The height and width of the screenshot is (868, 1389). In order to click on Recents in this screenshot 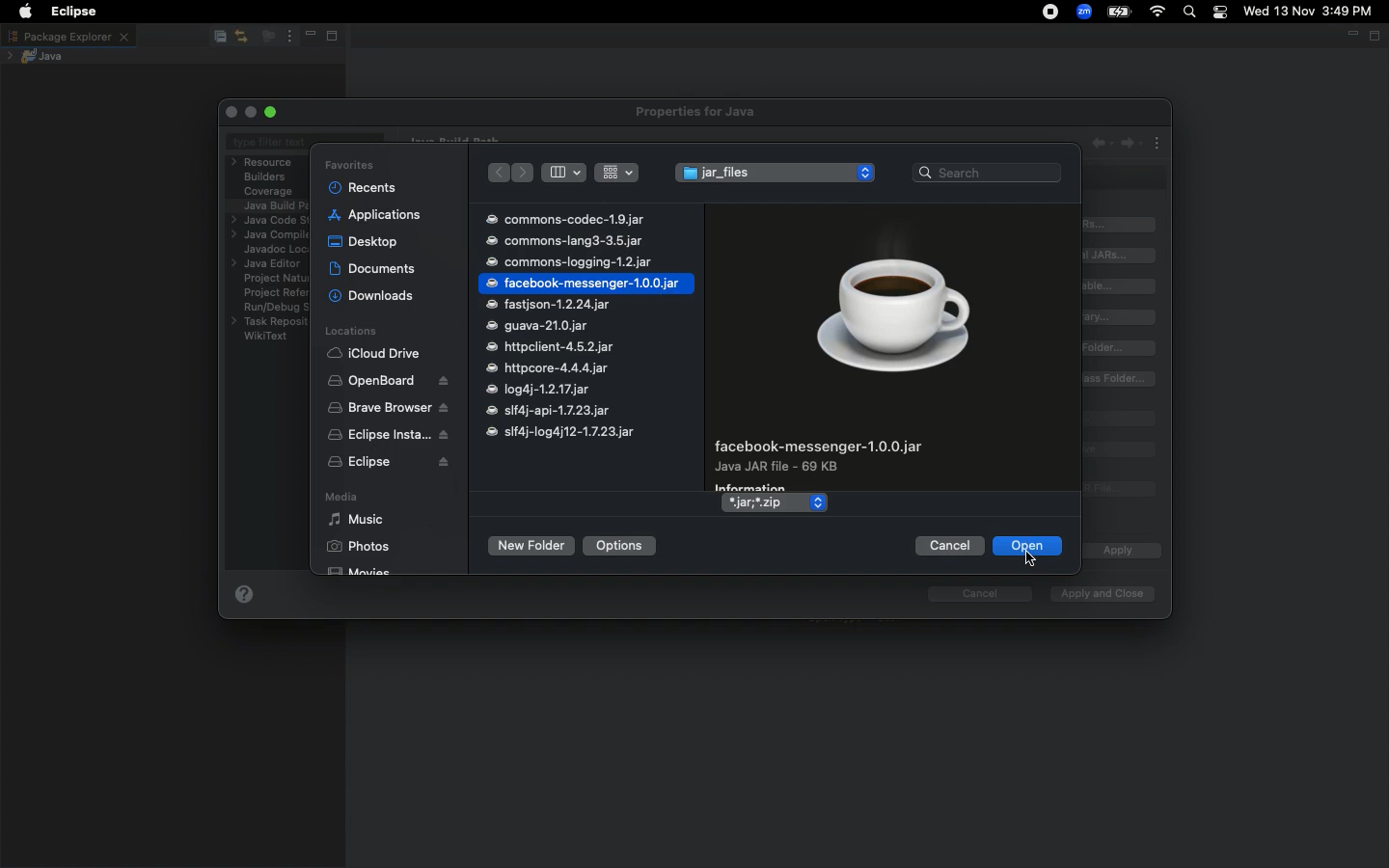, I will do `click(364, 187)`.